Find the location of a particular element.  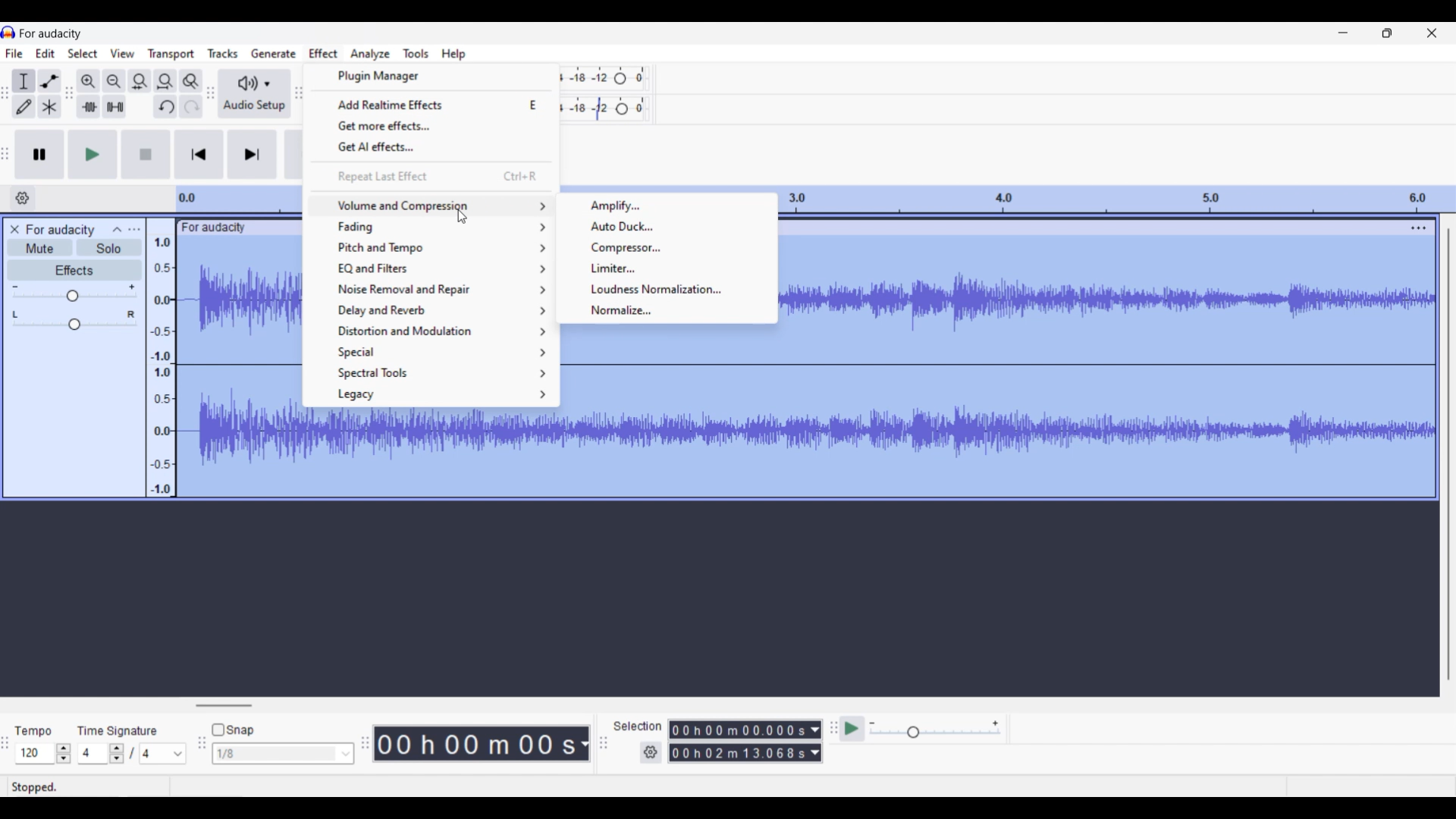

Distortion and modulation is located at coordinates (431, 331).